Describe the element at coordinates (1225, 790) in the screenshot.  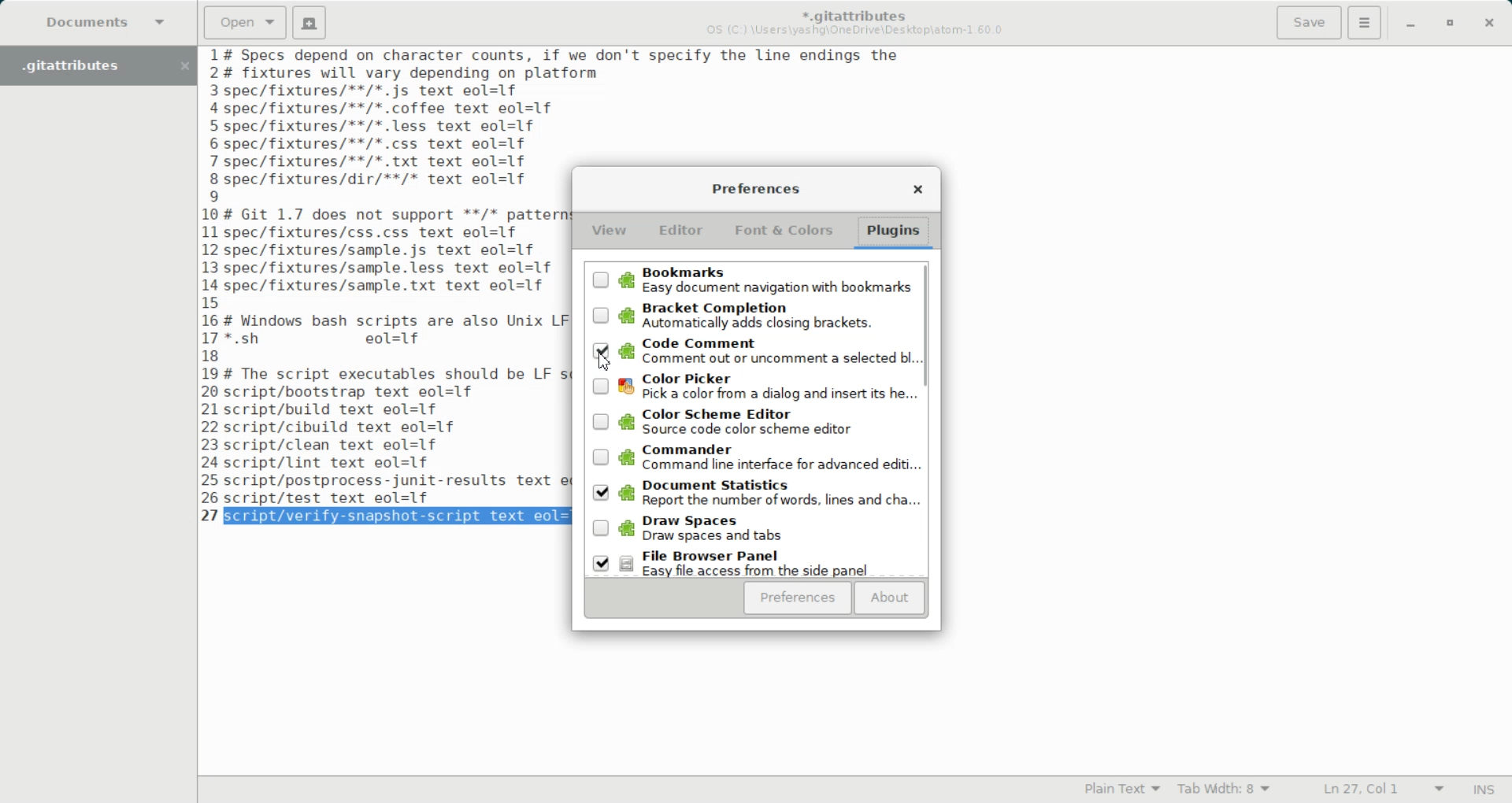
I see `Tab Width: 9` at that location.